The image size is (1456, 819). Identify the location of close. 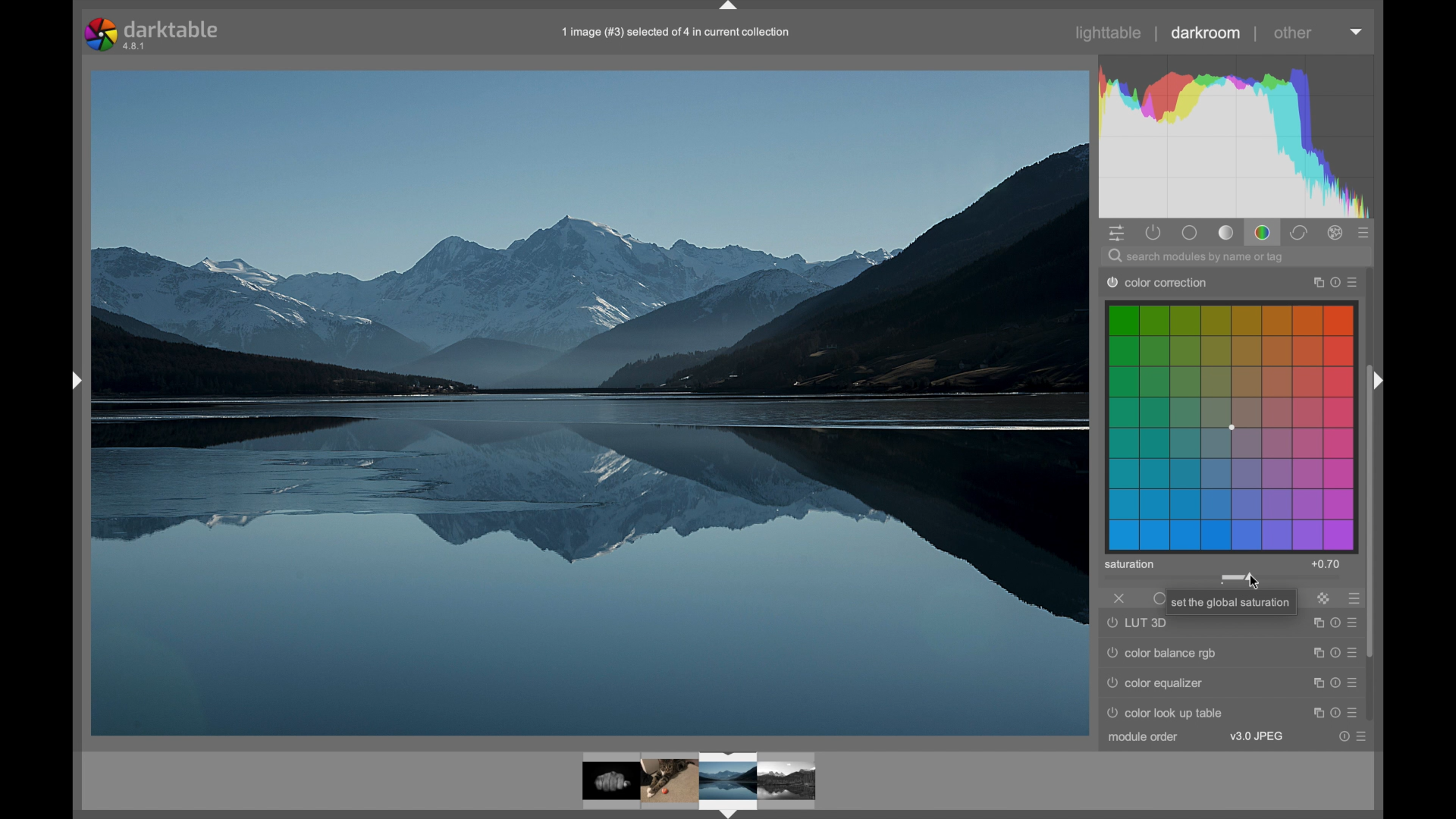
(1119, 598).